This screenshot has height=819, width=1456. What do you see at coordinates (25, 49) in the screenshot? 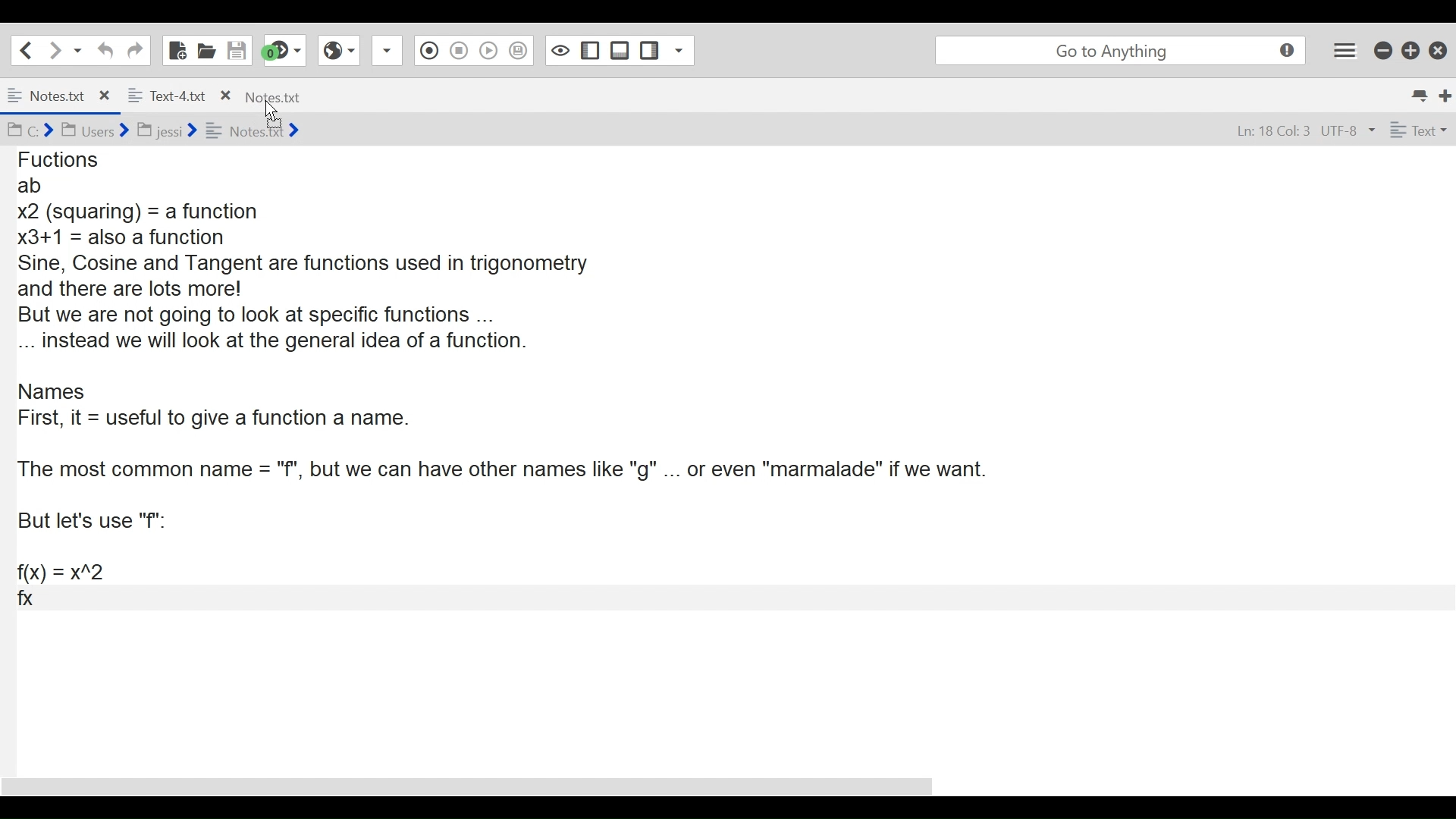
I see `Go back one loaction` at bounding box center [25, 49].